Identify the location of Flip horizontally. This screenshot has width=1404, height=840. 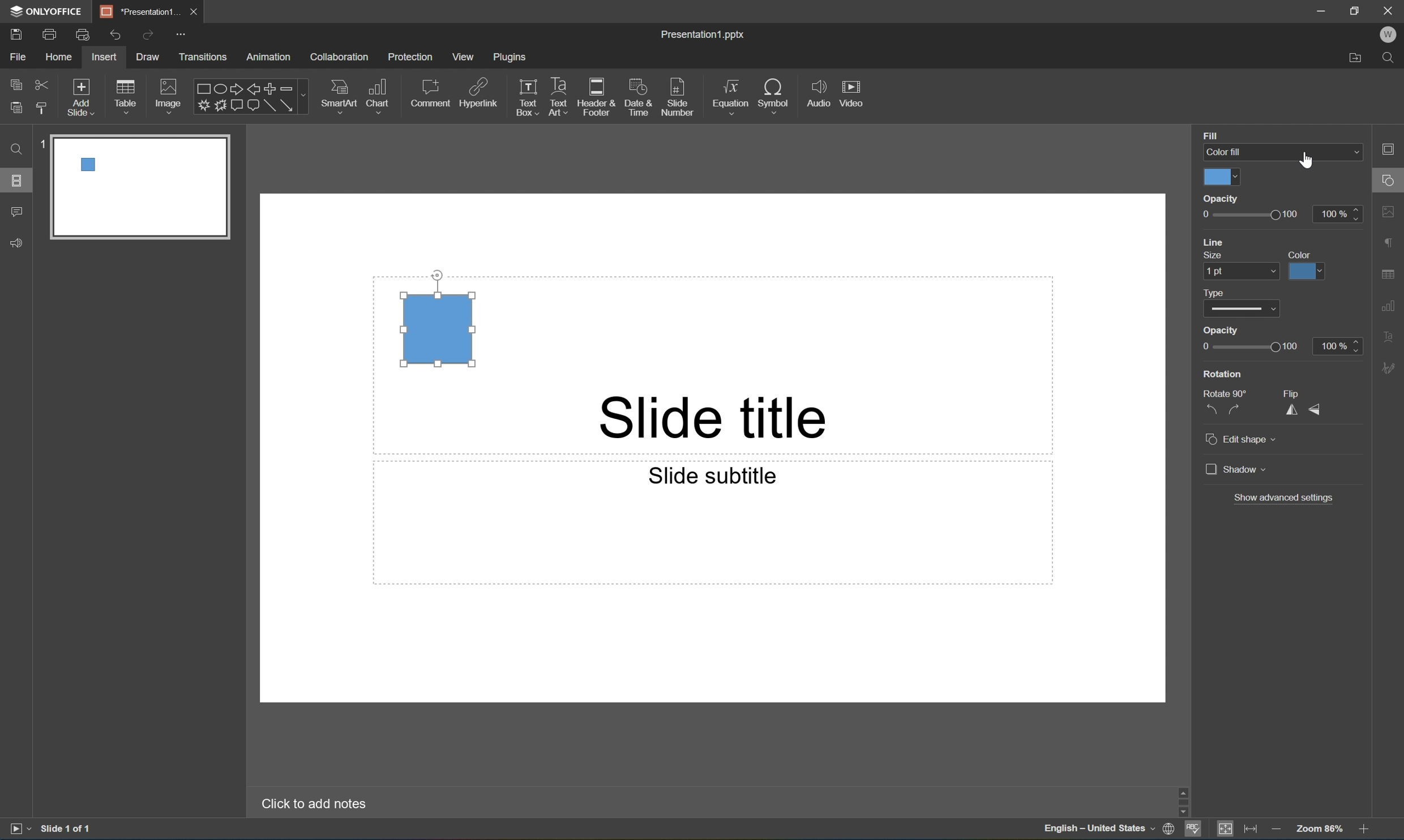
(1291, 409).